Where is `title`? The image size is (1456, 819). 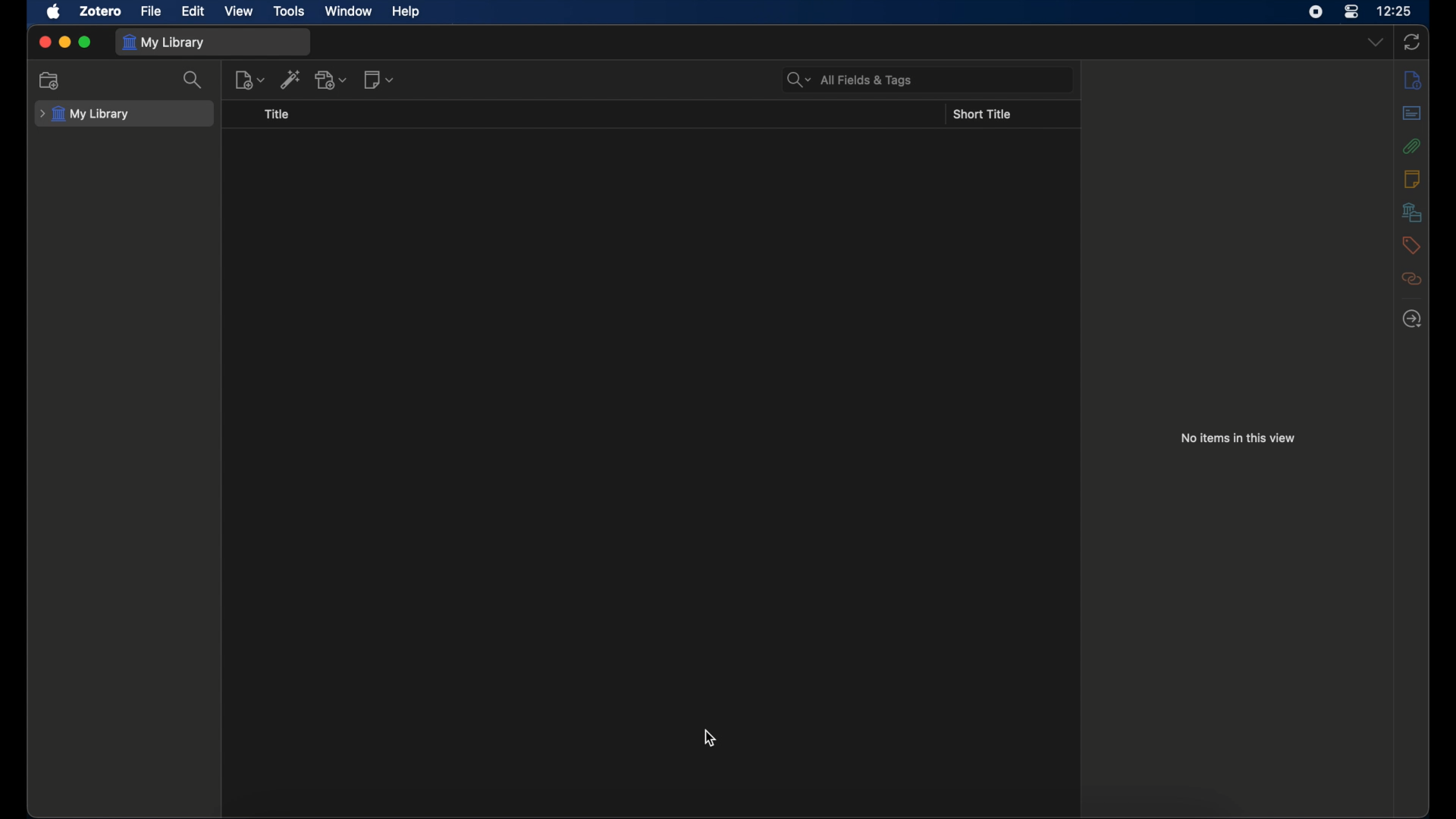
title is located at coordinates (276, 115).